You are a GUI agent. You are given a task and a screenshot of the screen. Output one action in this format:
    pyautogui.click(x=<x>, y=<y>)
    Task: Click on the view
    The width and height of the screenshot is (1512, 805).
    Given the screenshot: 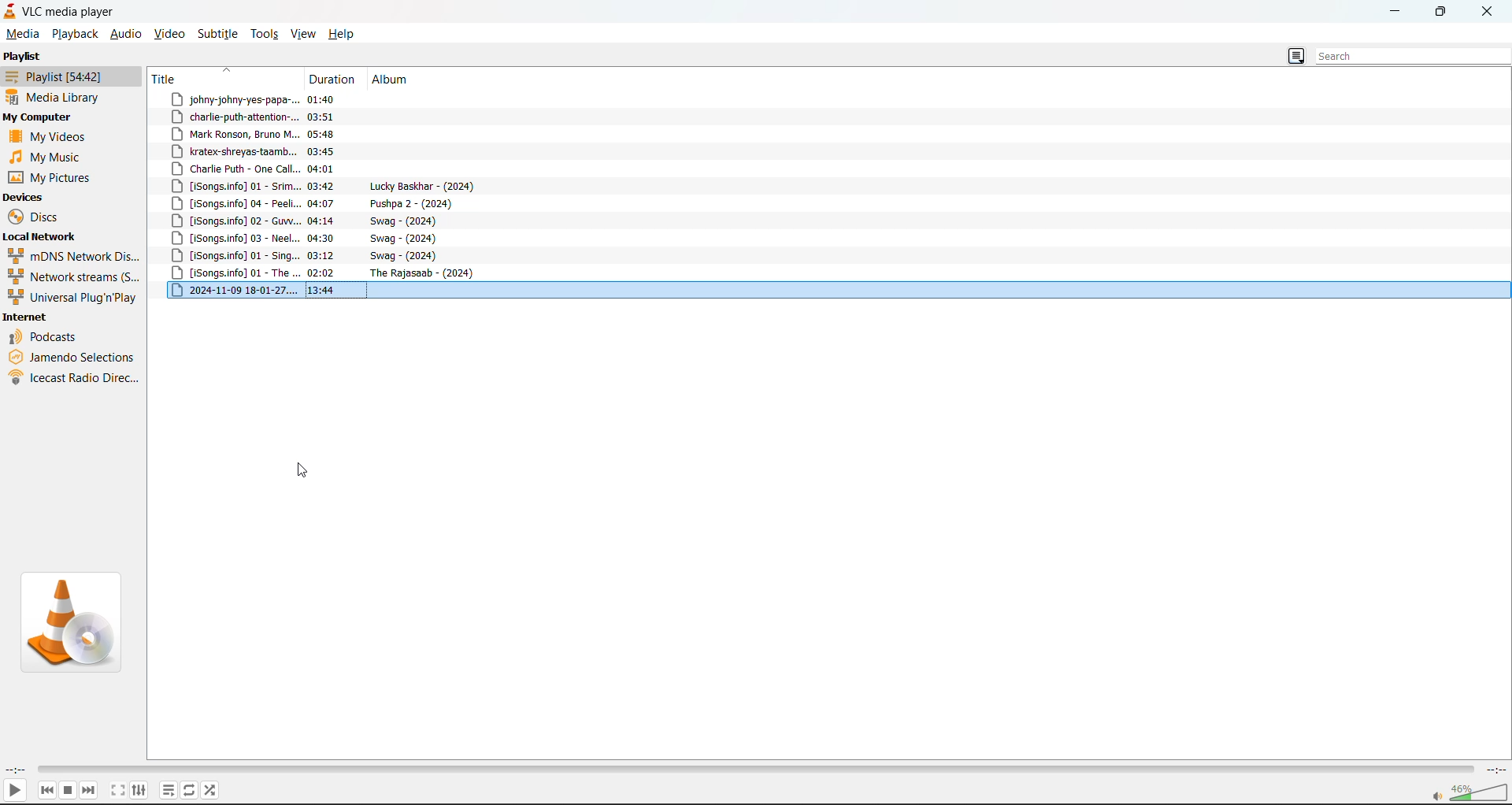 What is the action you would take?
    pyautogui.click(x=306, y=33)
    